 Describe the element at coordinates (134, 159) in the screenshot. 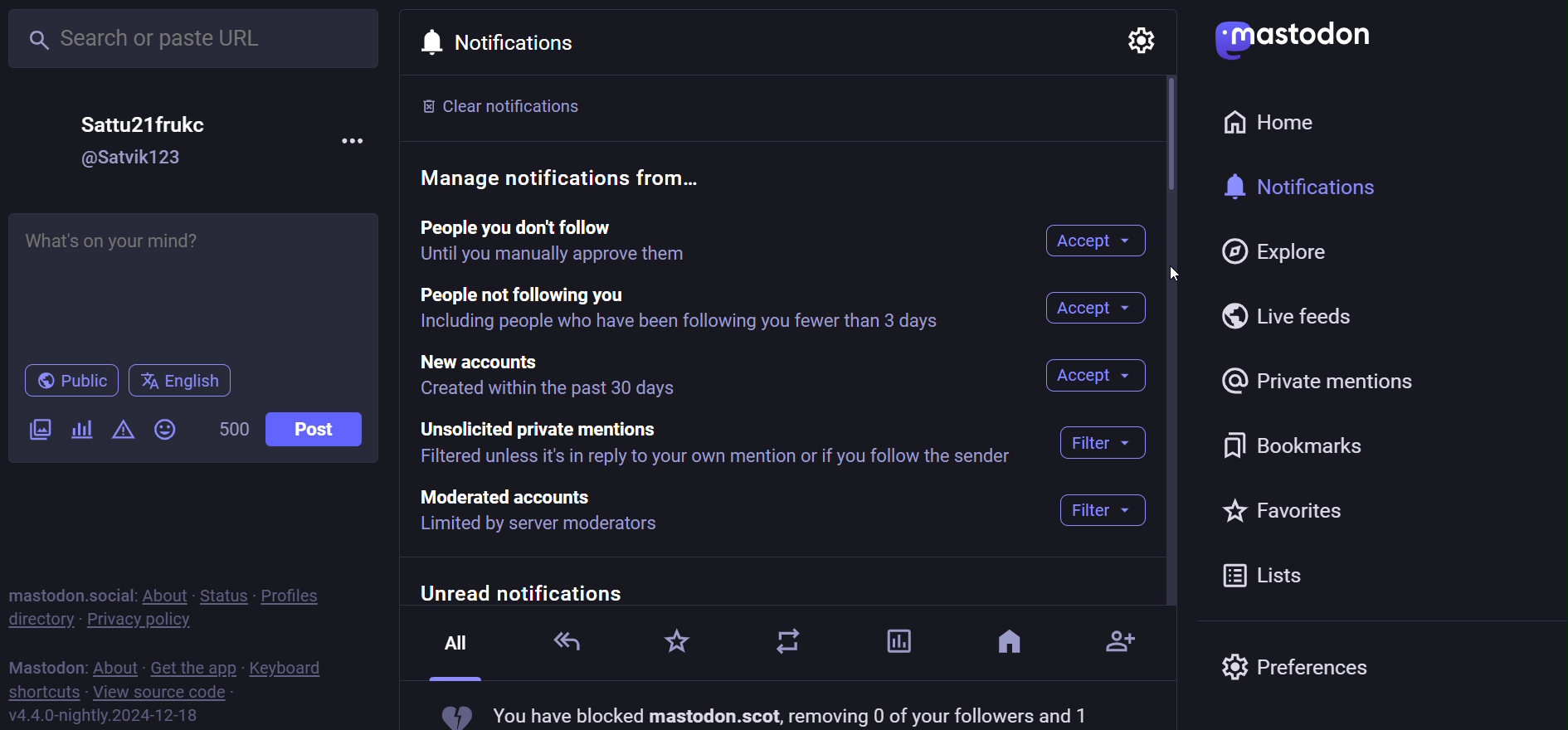

I see `@Satvik123` at that location.